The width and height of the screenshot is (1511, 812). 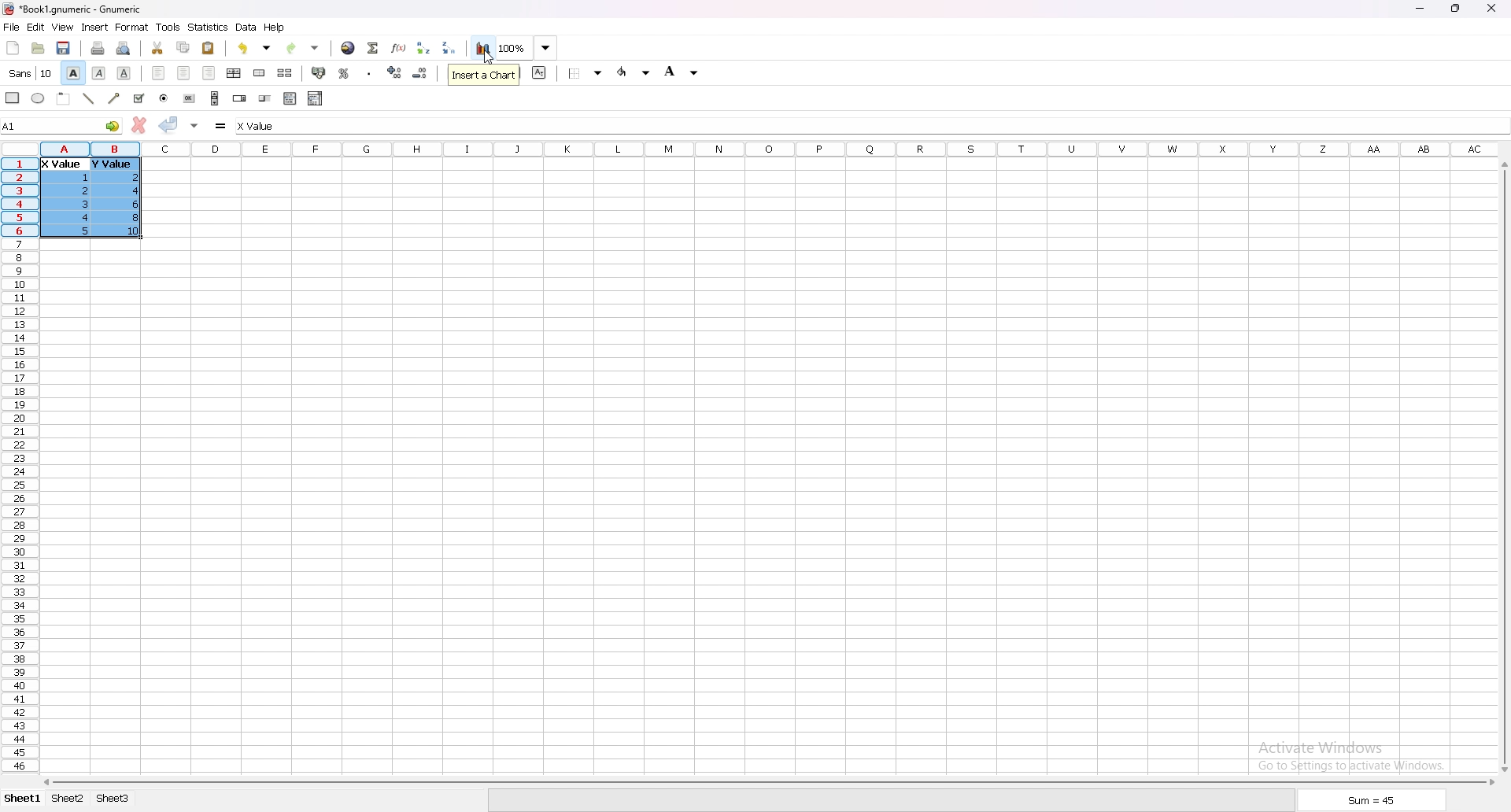 What do you see at coordinates (98, 48) in the screenshot?
I see `print` at bounding box center [98, 48].